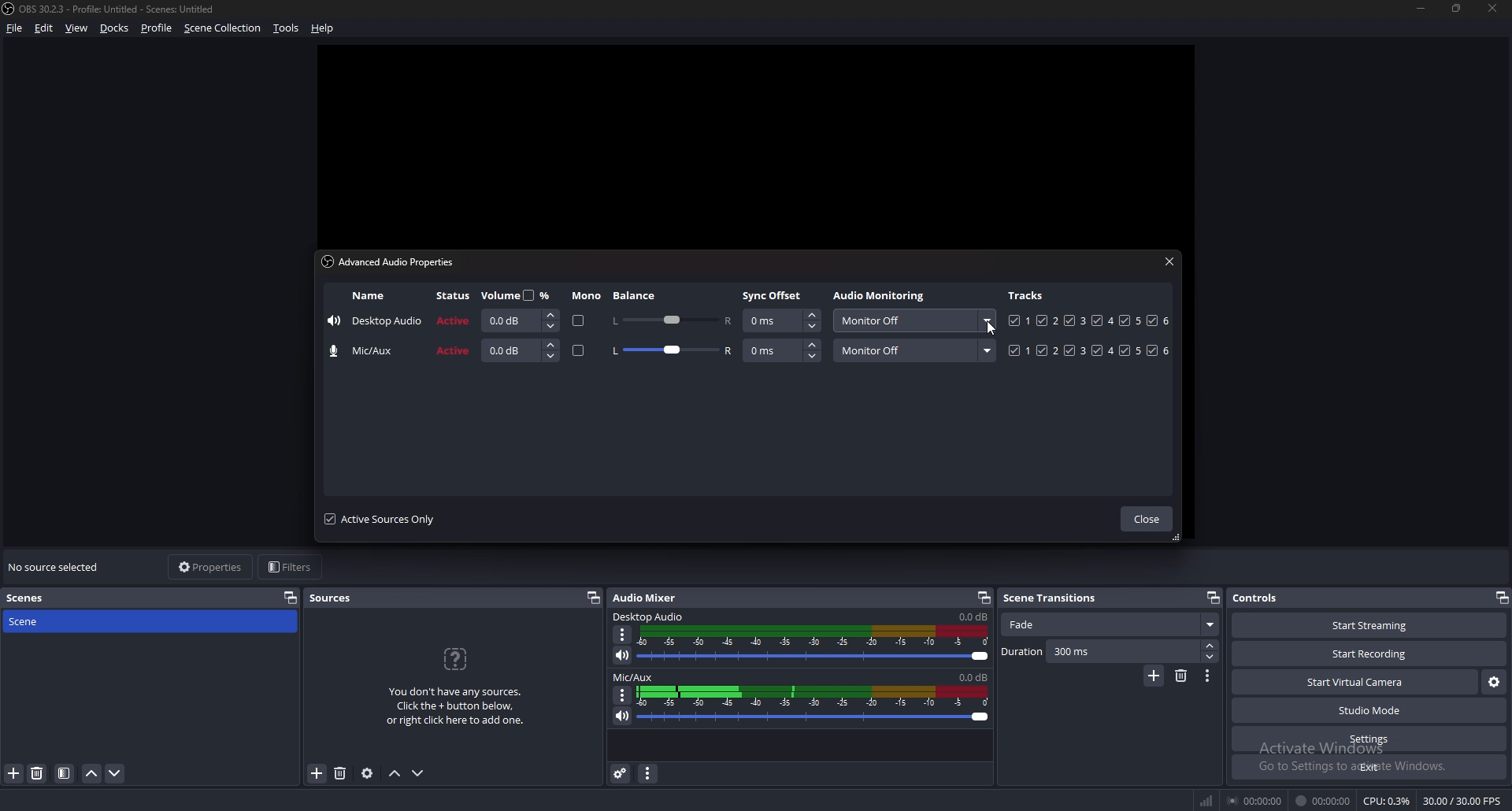 This screenshot has width=1512, height=811. I want to click on delete scene, so click(1183, 676).